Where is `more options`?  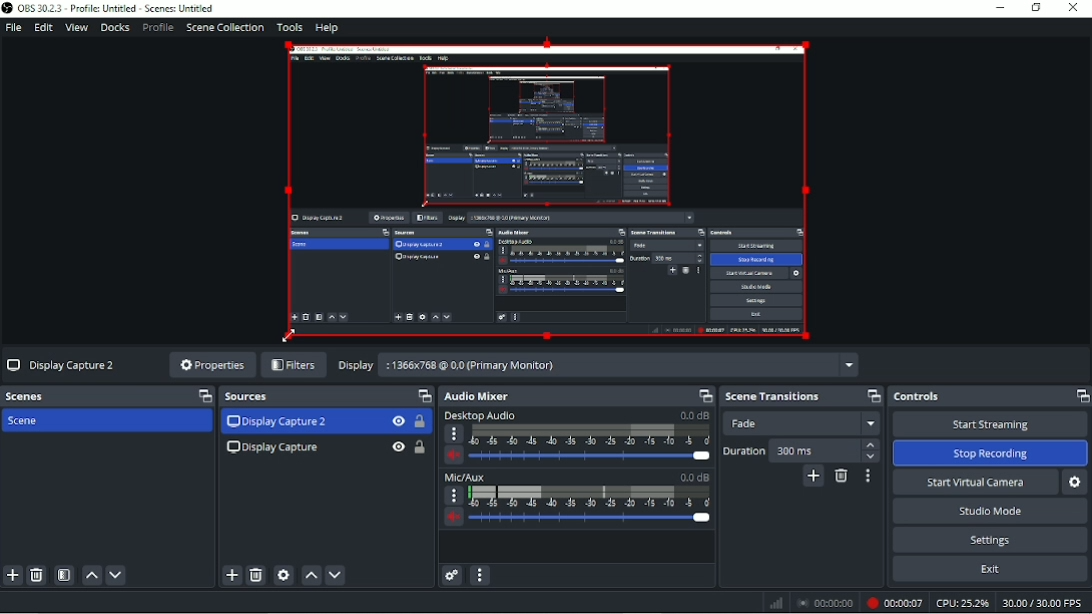
more options is located at coordinates (453, 496).